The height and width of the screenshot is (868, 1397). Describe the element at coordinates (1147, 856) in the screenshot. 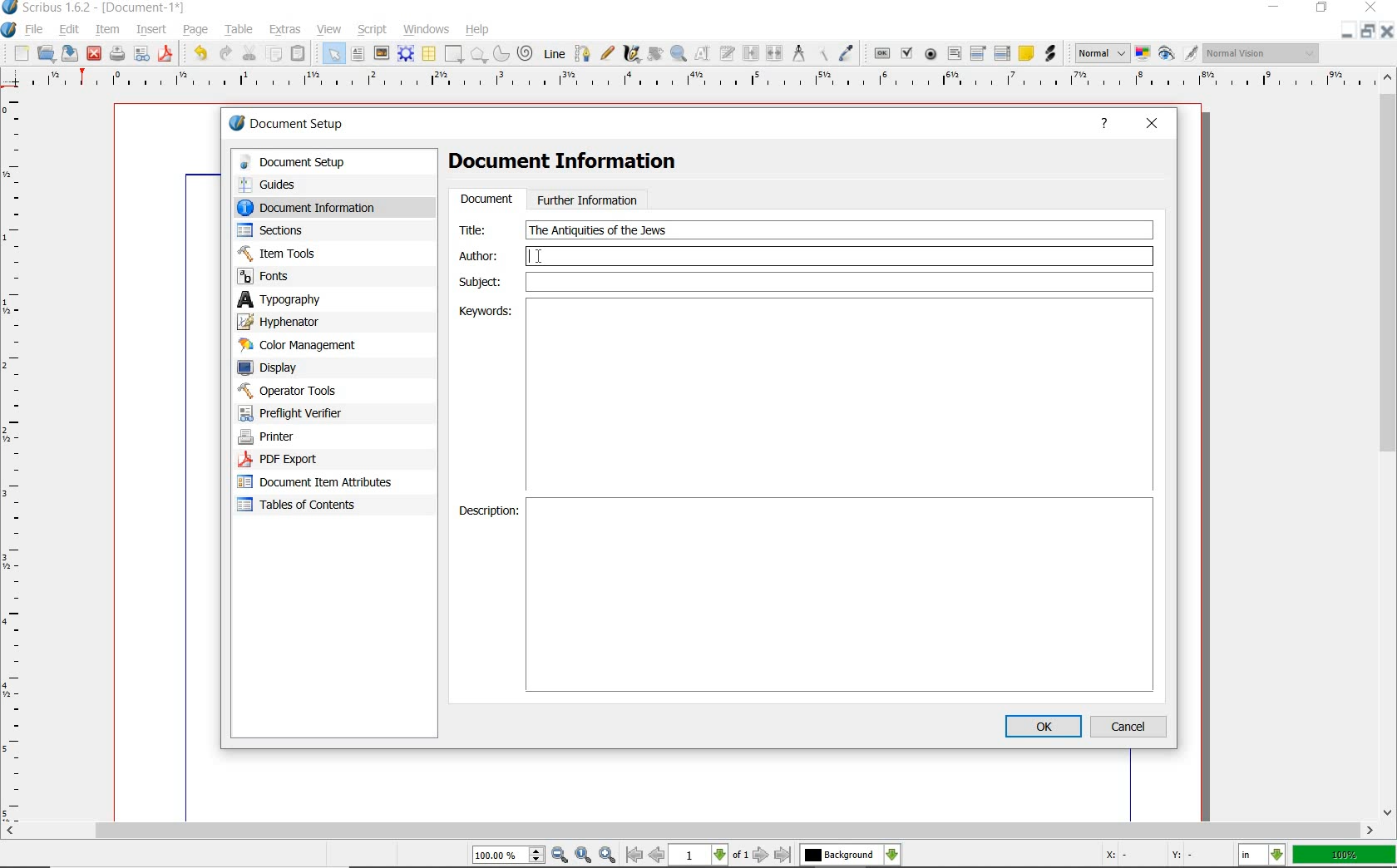

I see `coordinates` at that location.